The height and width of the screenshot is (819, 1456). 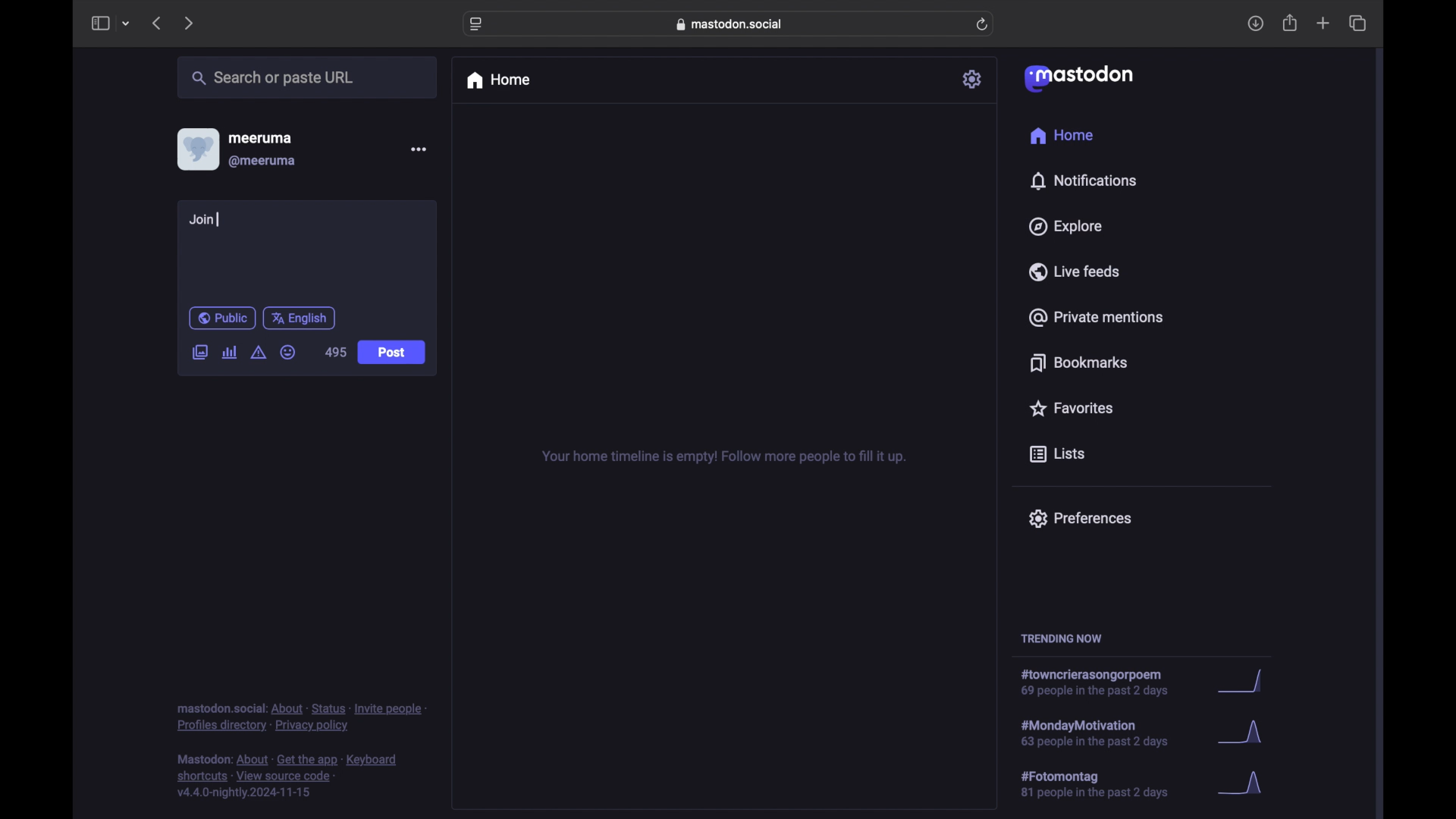 I want to click on english, so click(x=300, y=318).